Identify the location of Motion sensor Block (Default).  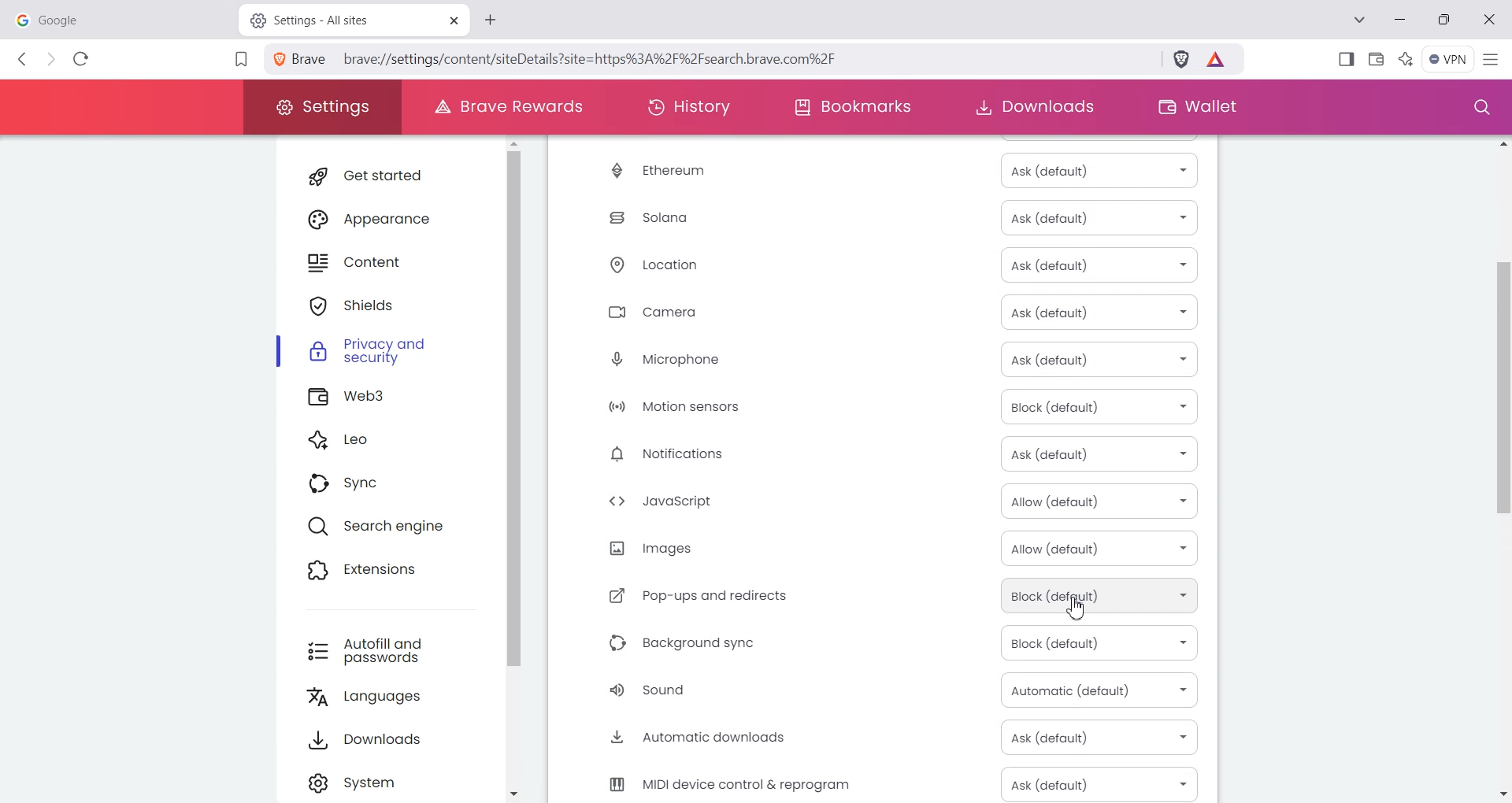
(887, 406).